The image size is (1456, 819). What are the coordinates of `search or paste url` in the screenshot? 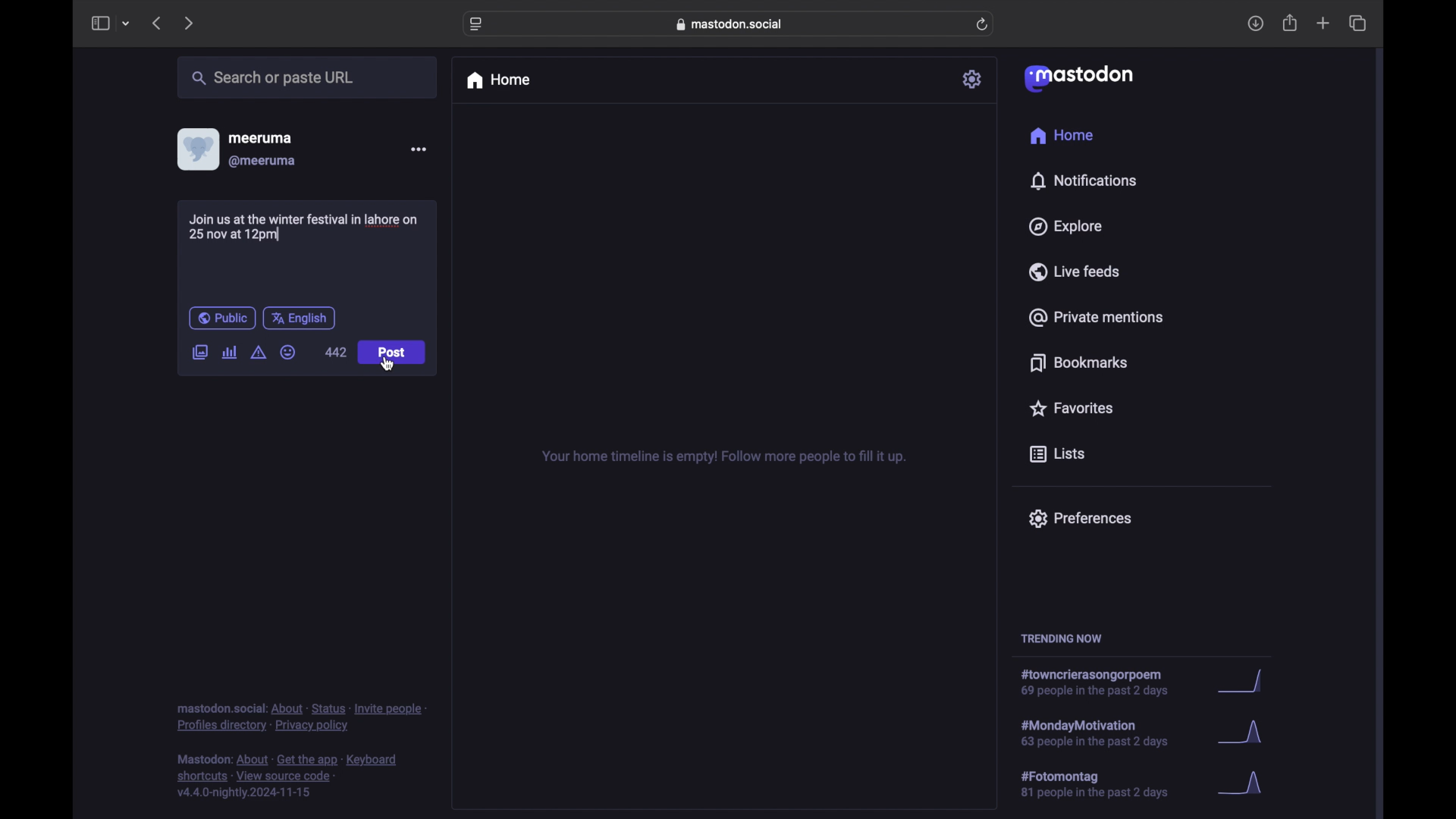 It's located at (272, 78).